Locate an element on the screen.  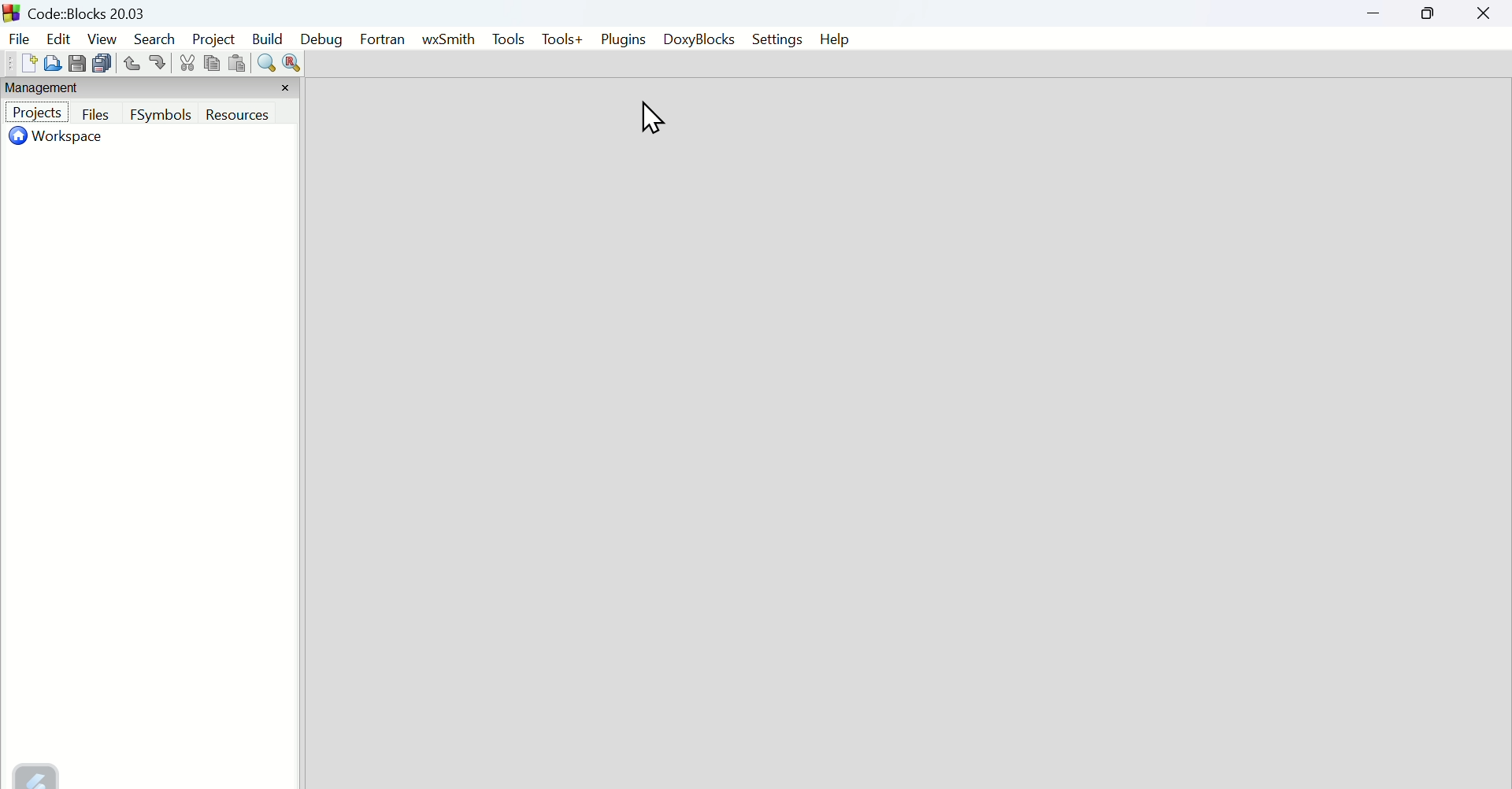
Workspace is located at coordinates (61, 135).